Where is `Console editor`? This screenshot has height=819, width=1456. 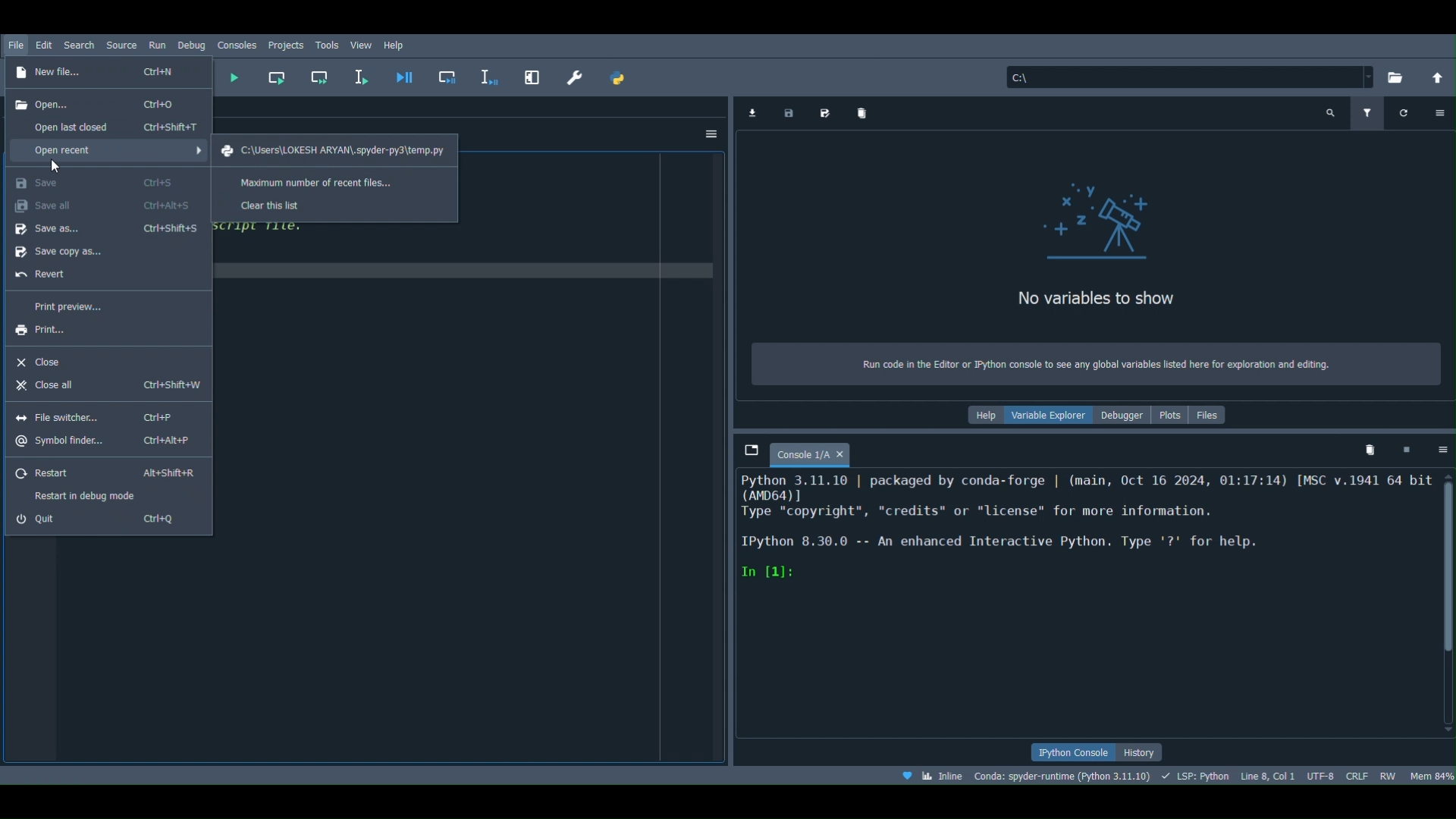 Console editor is located at coordinates (1084, 605).